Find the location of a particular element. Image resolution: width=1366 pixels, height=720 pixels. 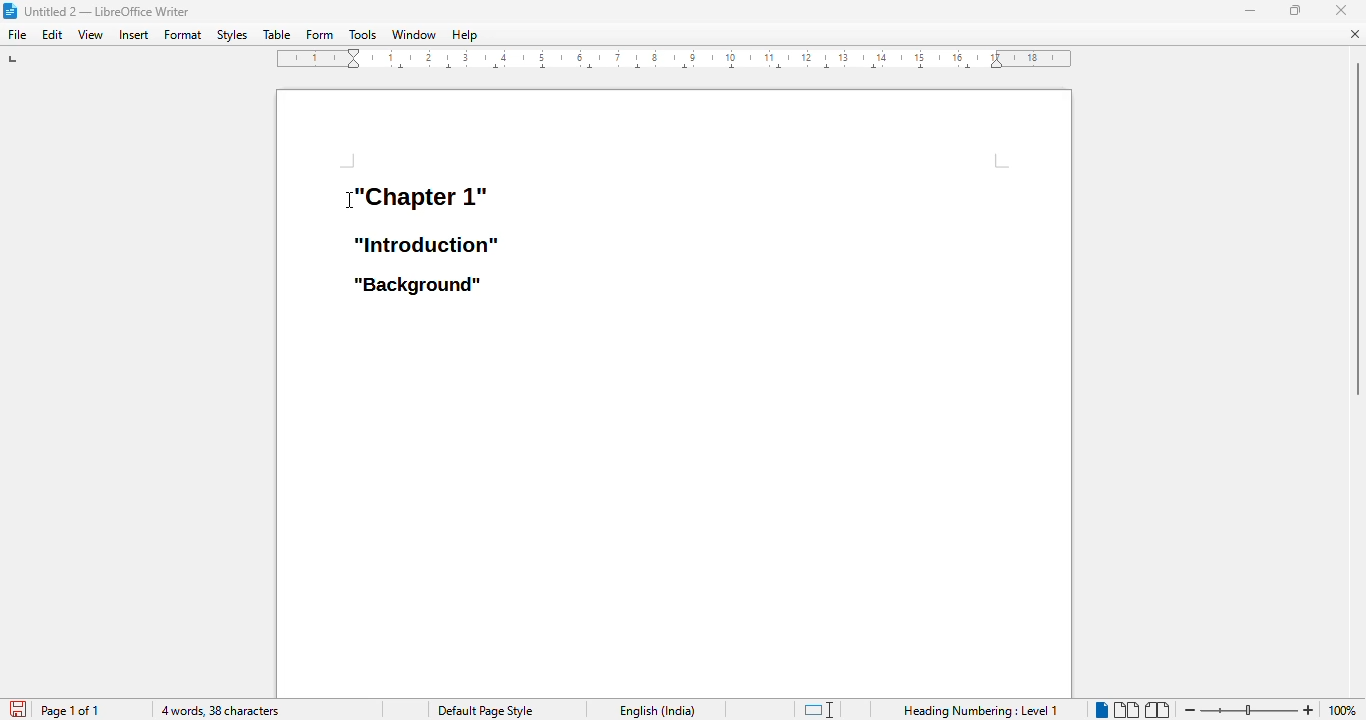

tools is located at coordinates (362, 34).